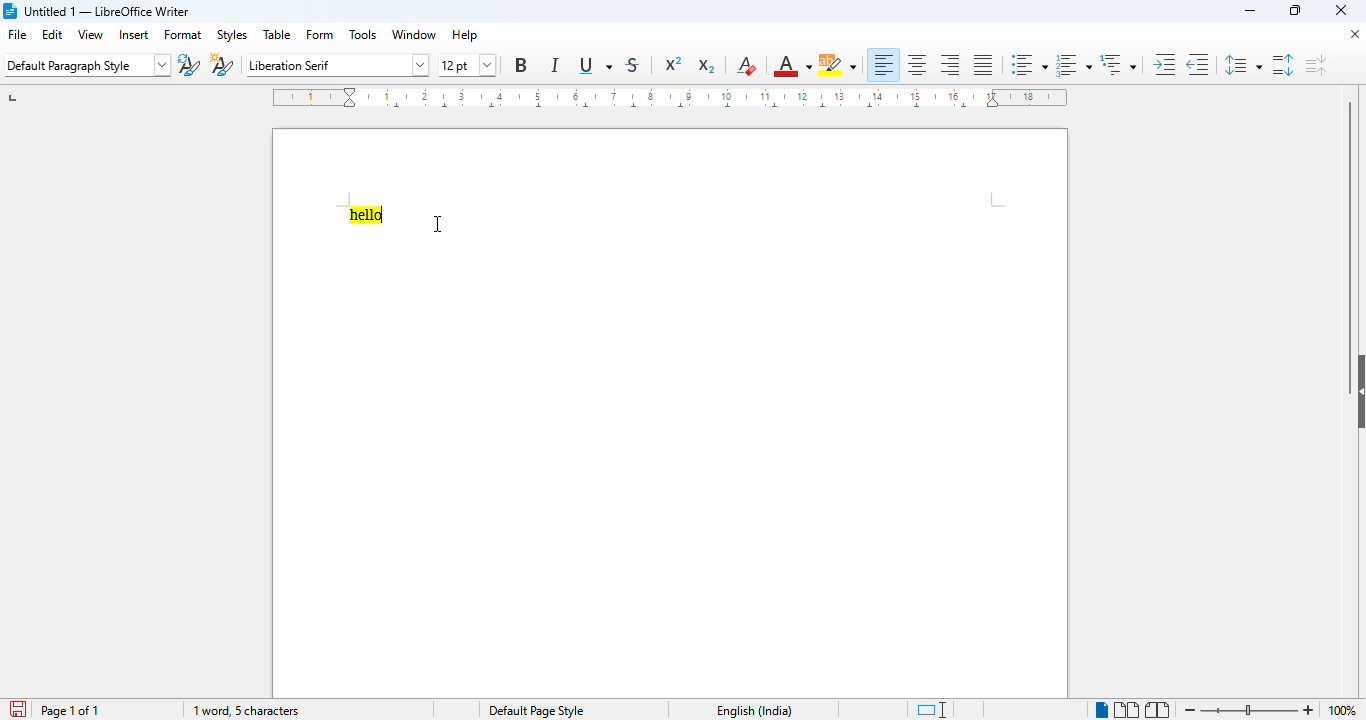  I want to click on text language, so click(742, 711).